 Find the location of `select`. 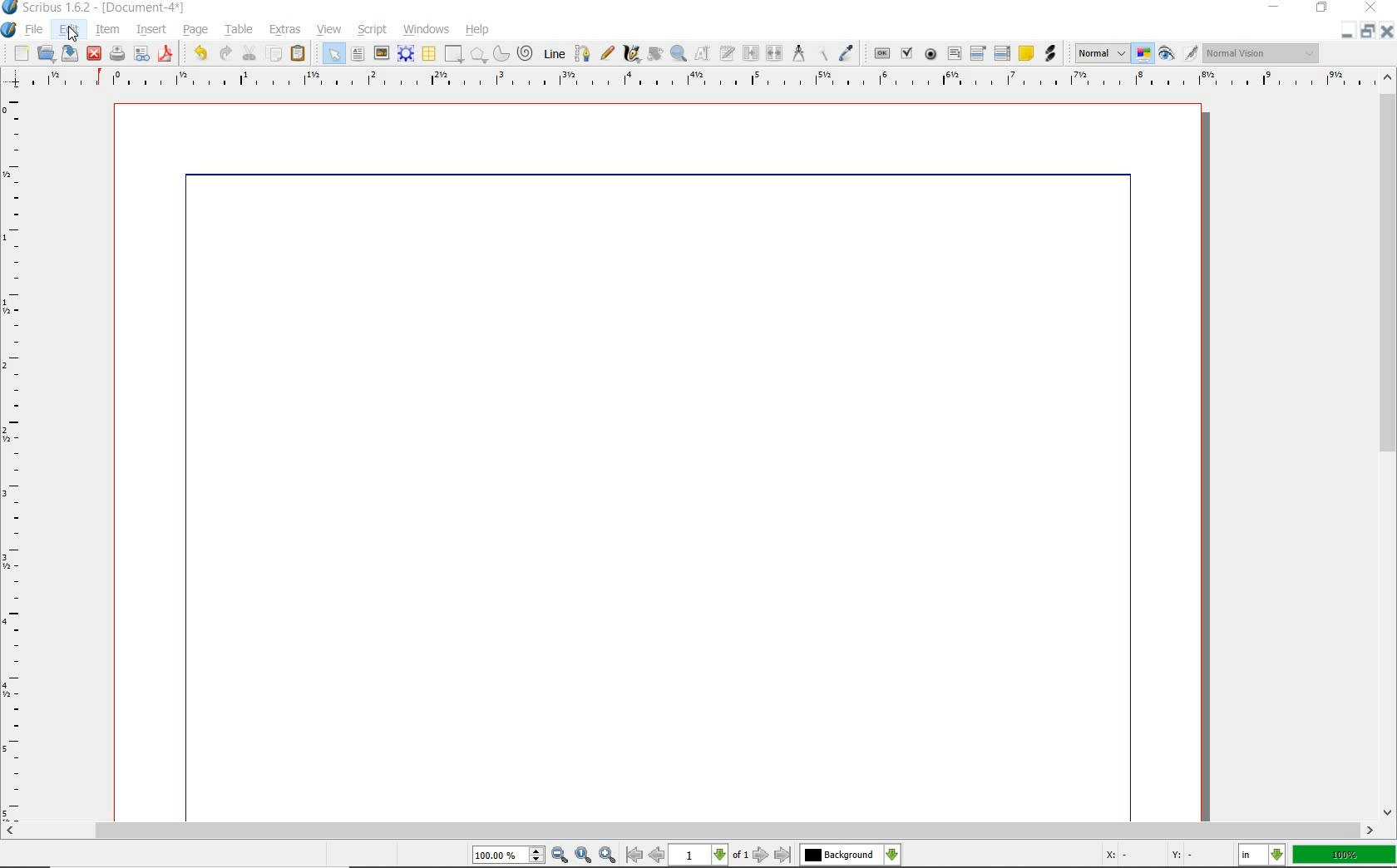

select is located at coordinates (330, 53).